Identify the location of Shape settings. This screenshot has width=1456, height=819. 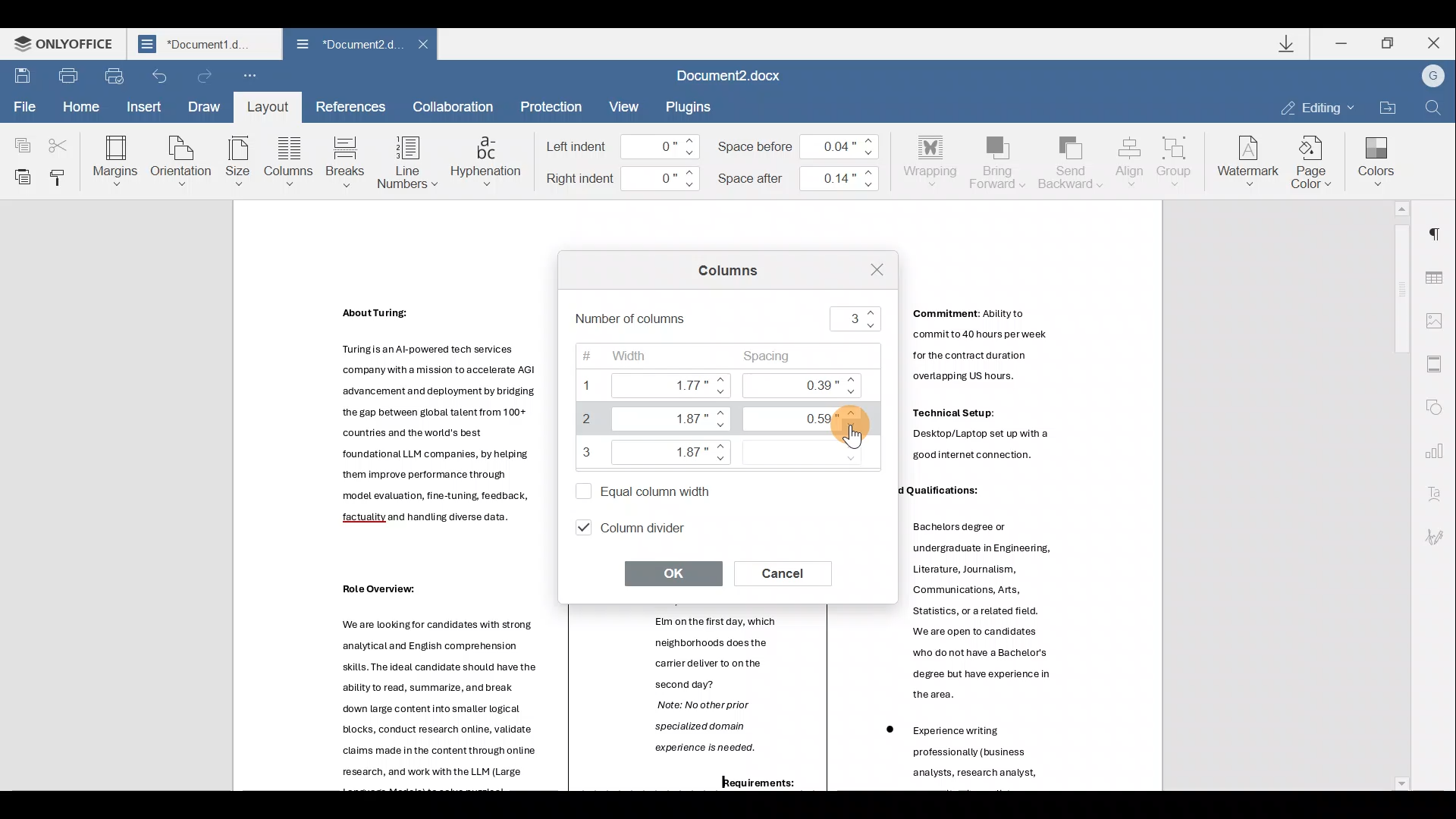
(1439, 409).